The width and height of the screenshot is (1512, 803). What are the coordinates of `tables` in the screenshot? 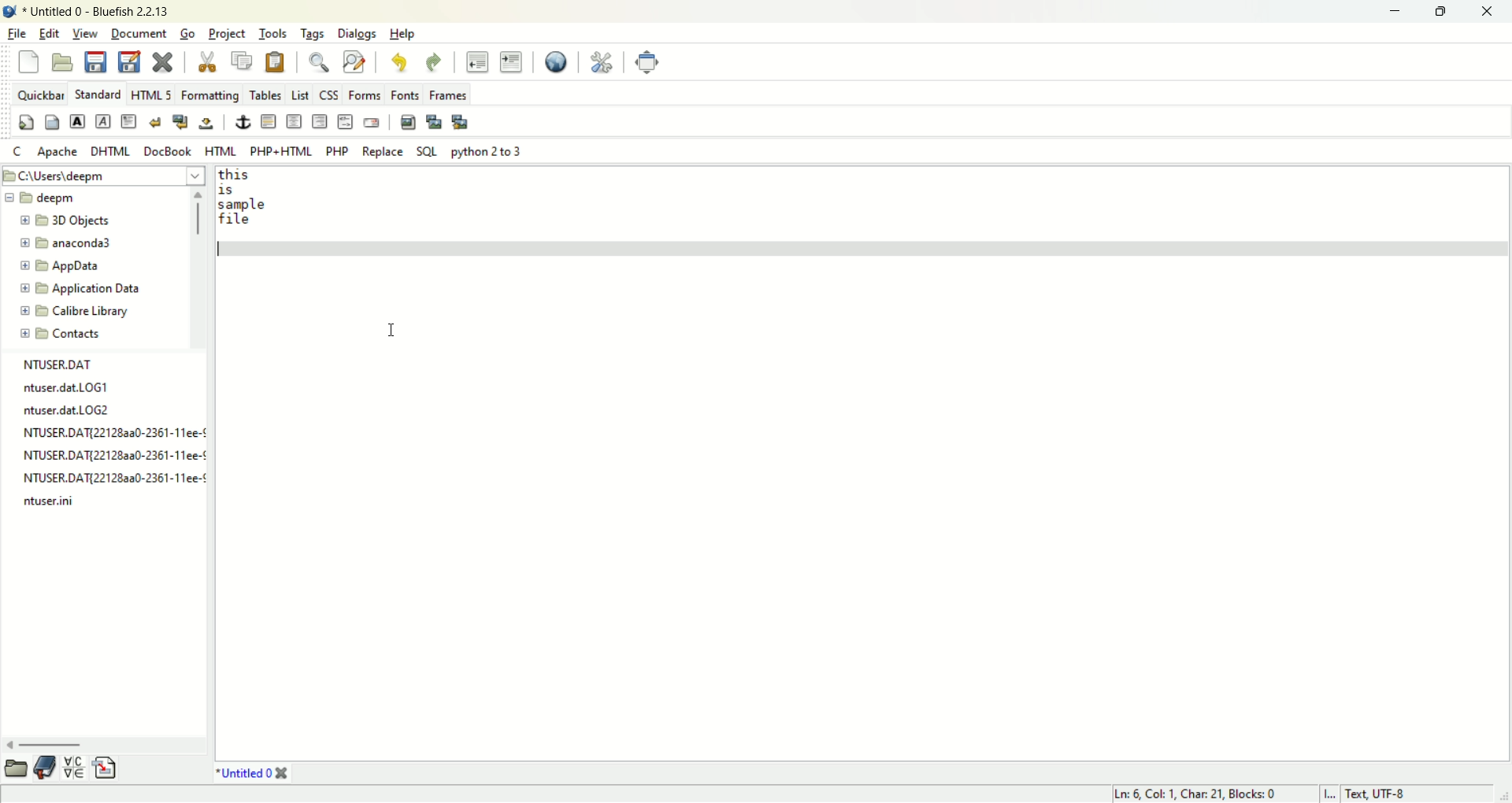 It's located at (266, 93).